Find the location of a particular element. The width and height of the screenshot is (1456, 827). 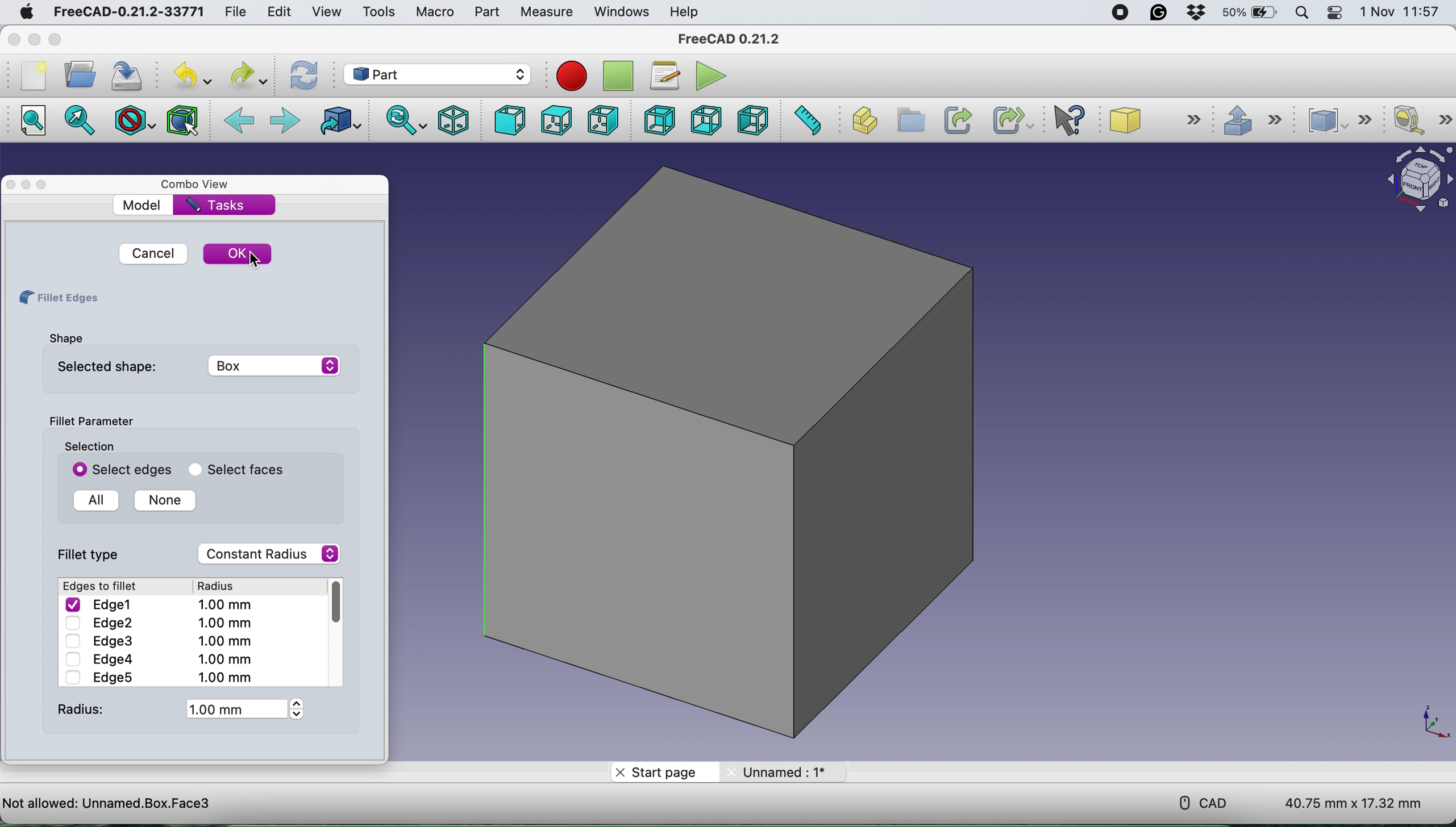

fit all is located at coordinates (31, 121).